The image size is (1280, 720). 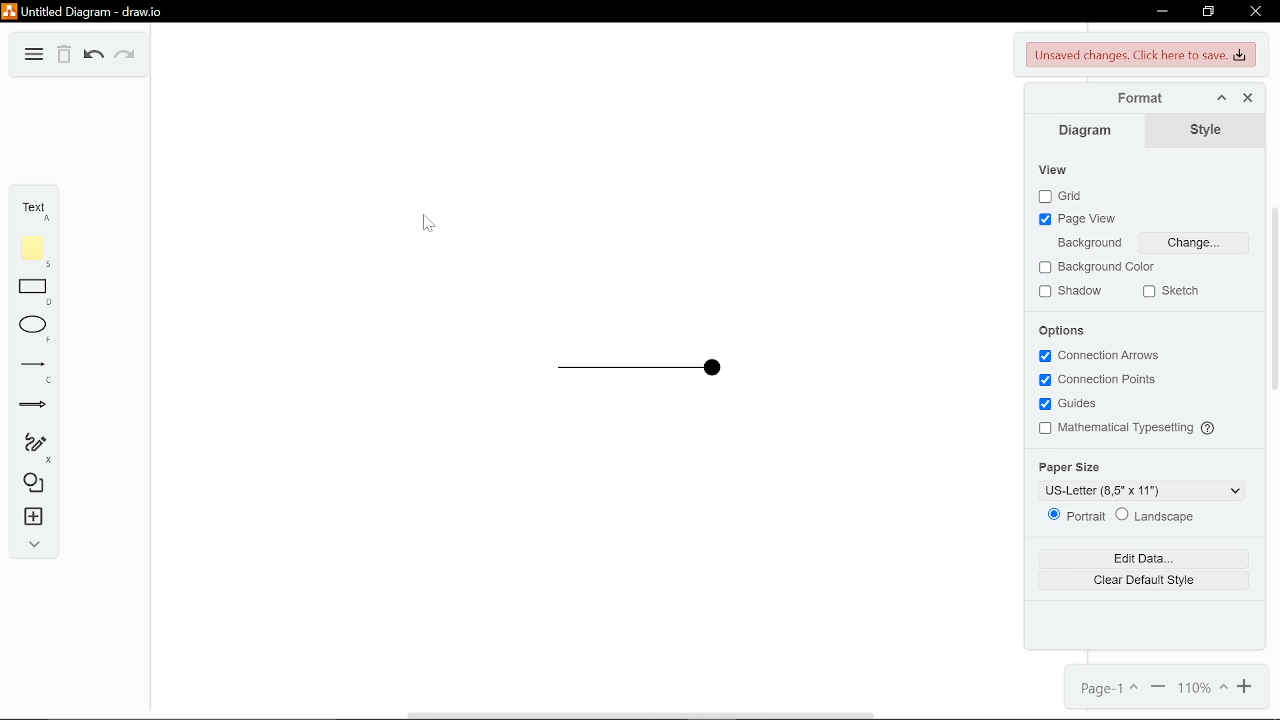 I want to click on Shadow, so click(x=1070, y=292).